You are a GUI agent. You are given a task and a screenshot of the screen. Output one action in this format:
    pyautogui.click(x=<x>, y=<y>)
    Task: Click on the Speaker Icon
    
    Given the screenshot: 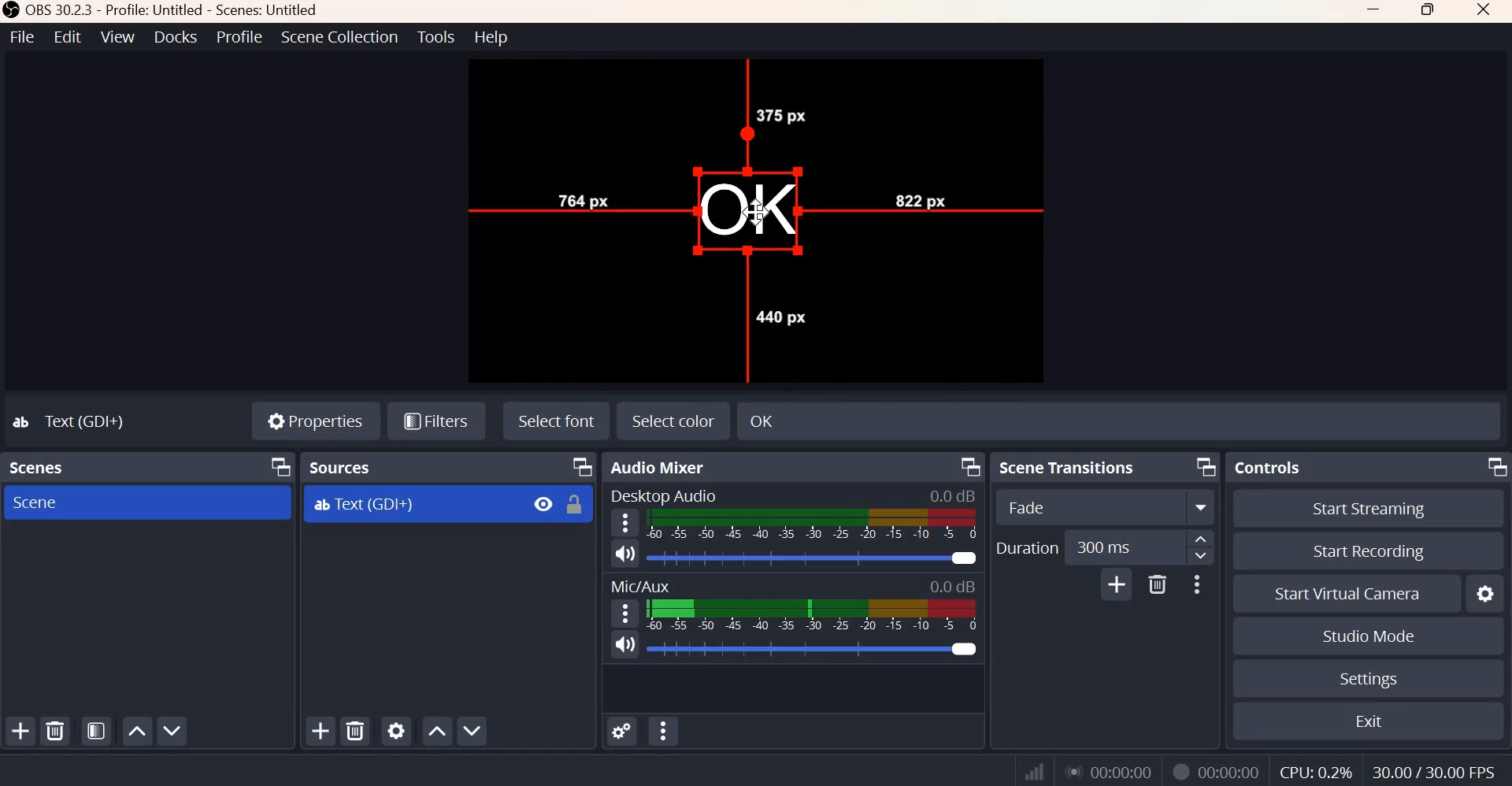 What is the action you would take?
    pyautogui.click(x=624, y=644)
    